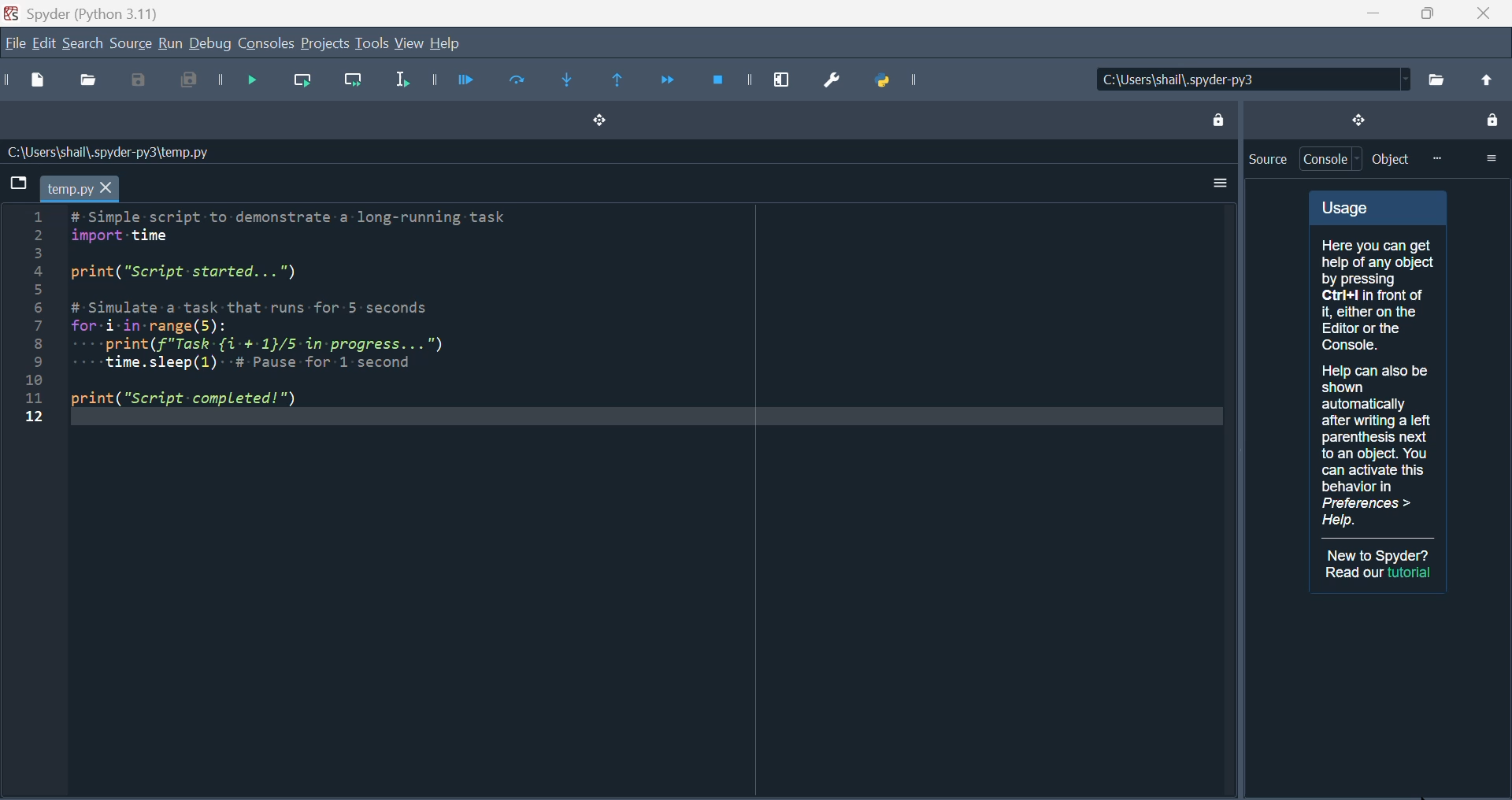 The width and height of the screenshot is (1512, 800). I want to click on lock, so click(1491, 122).